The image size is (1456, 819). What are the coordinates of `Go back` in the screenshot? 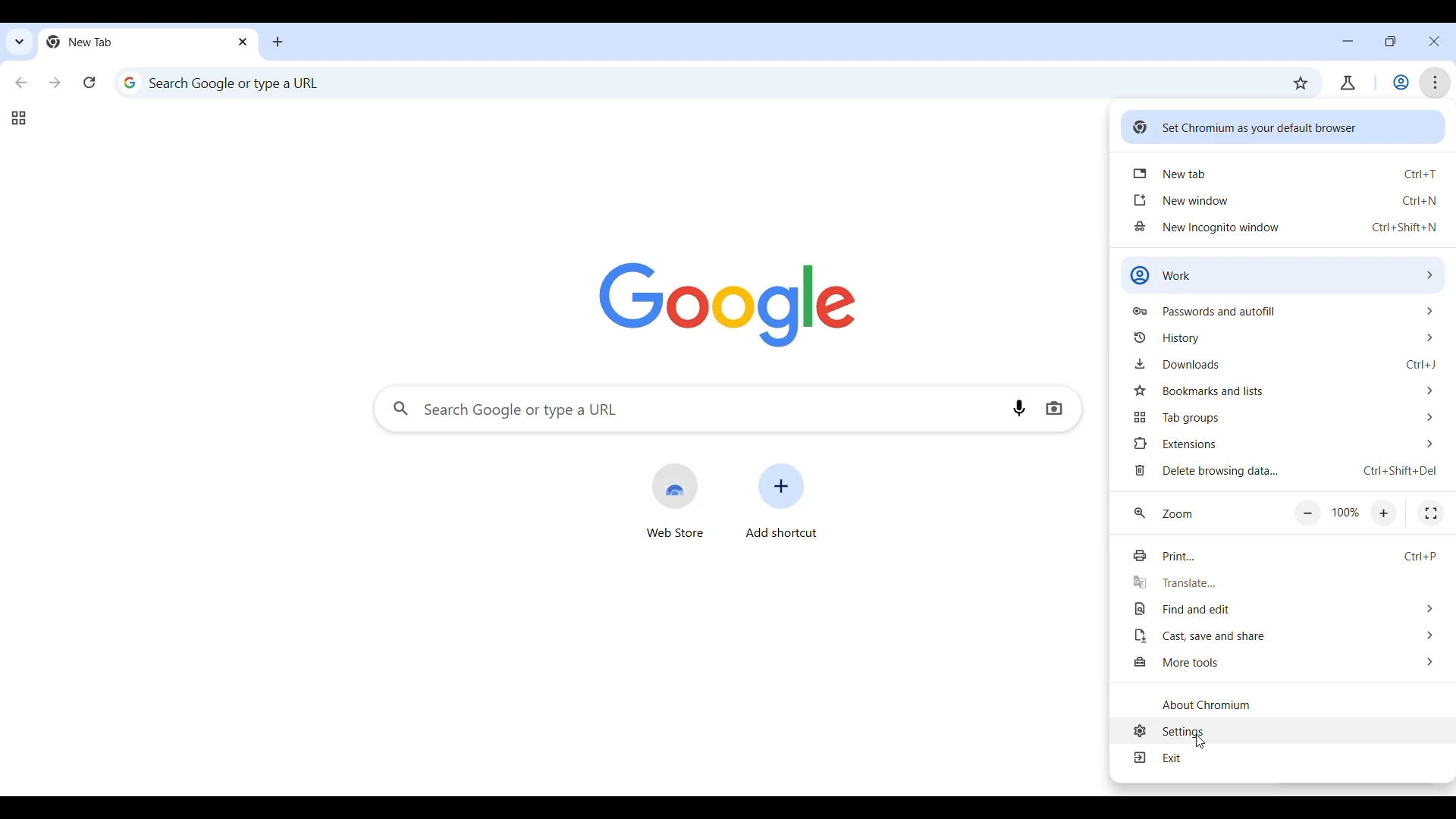 It's located at (22, 83).